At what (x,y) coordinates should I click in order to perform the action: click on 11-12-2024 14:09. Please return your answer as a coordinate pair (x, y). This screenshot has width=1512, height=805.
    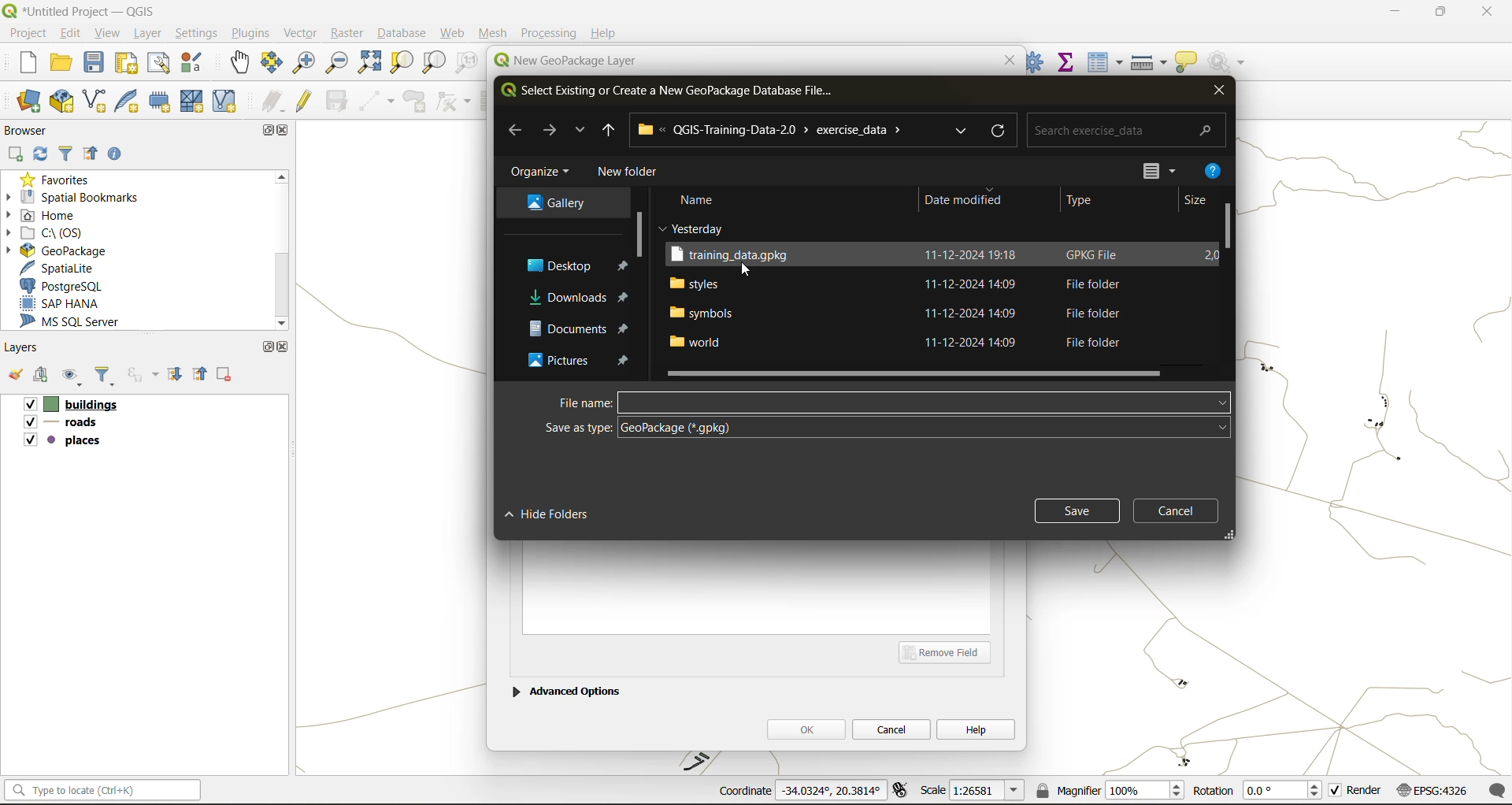
    Looking at the image, I should click on (975, 343).